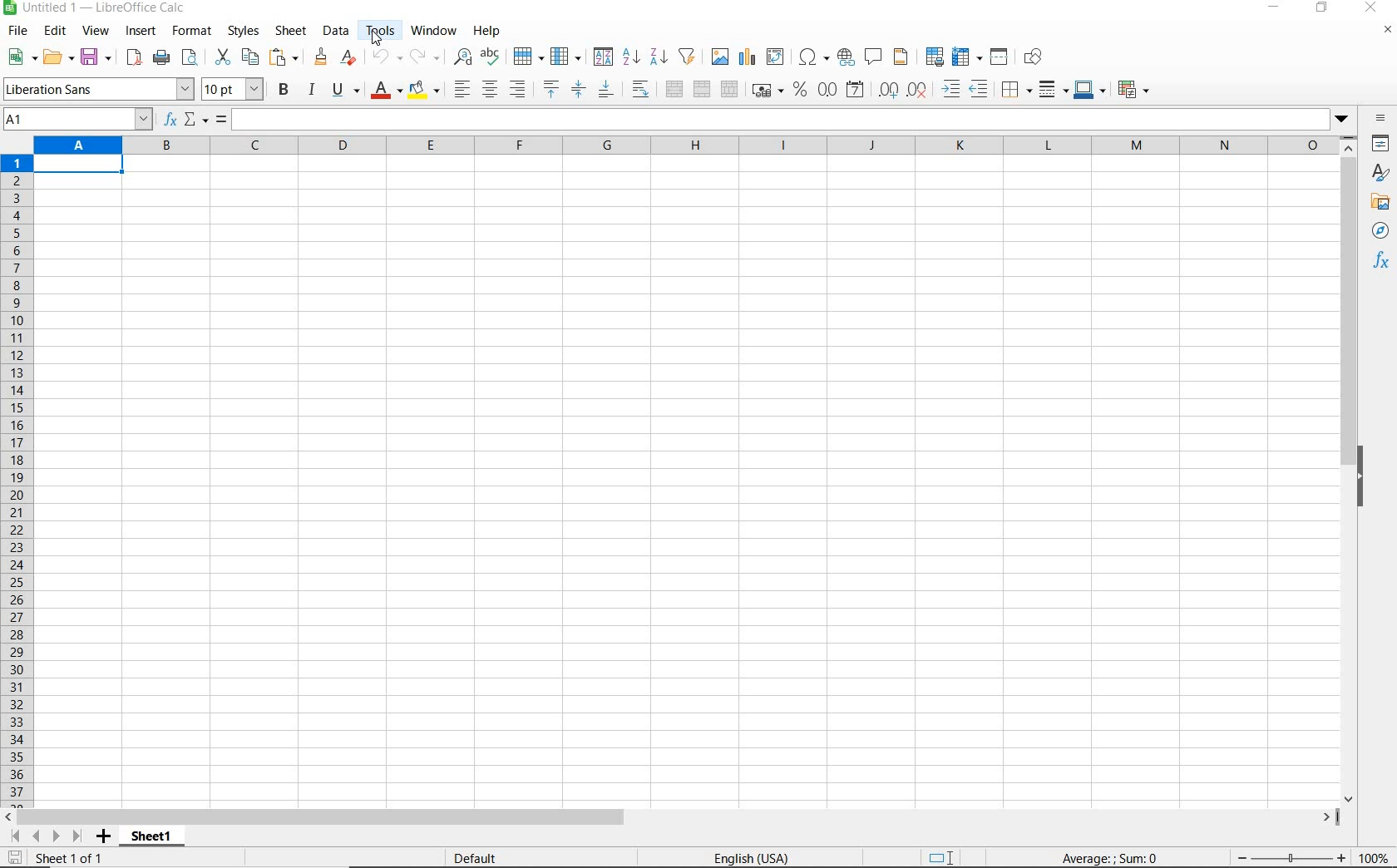 Image resolution: width=1397 pixels, height=868 pixels. I want to click on border style, so click(1049, 88).